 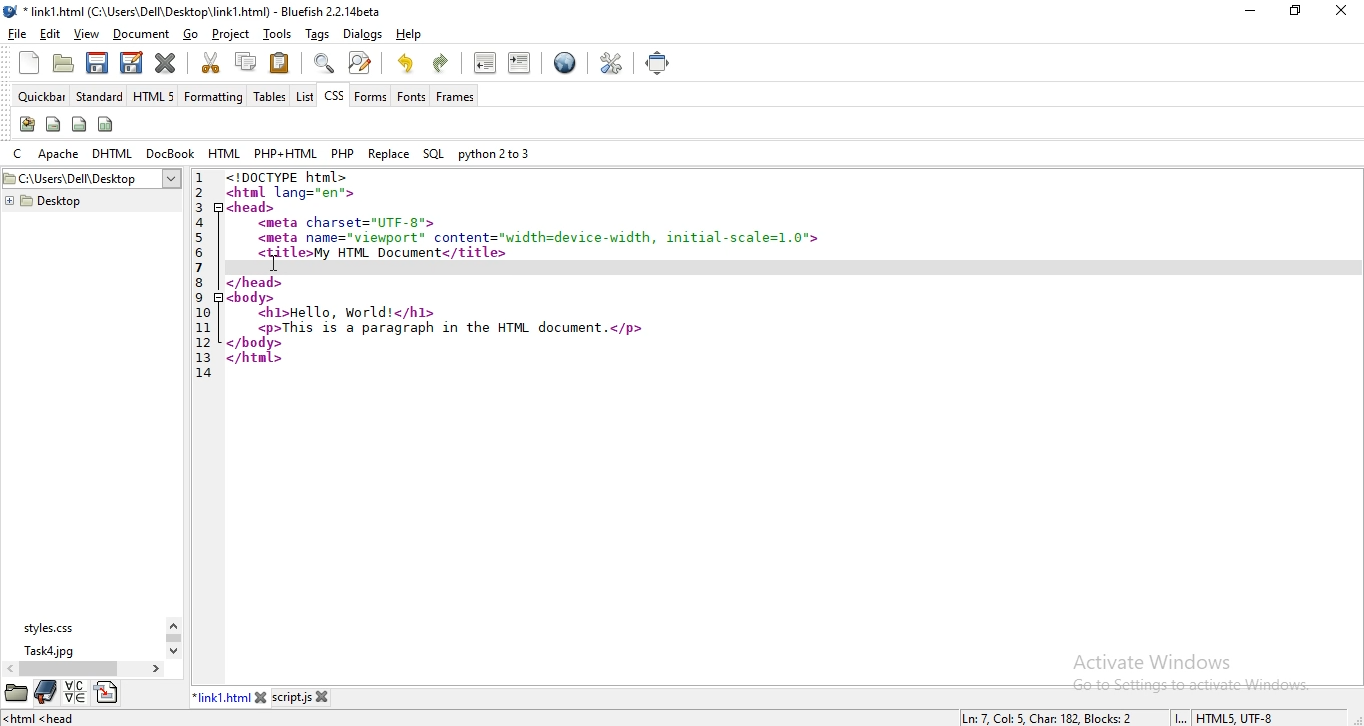 I want to click on script, so click(x=292, y=697).